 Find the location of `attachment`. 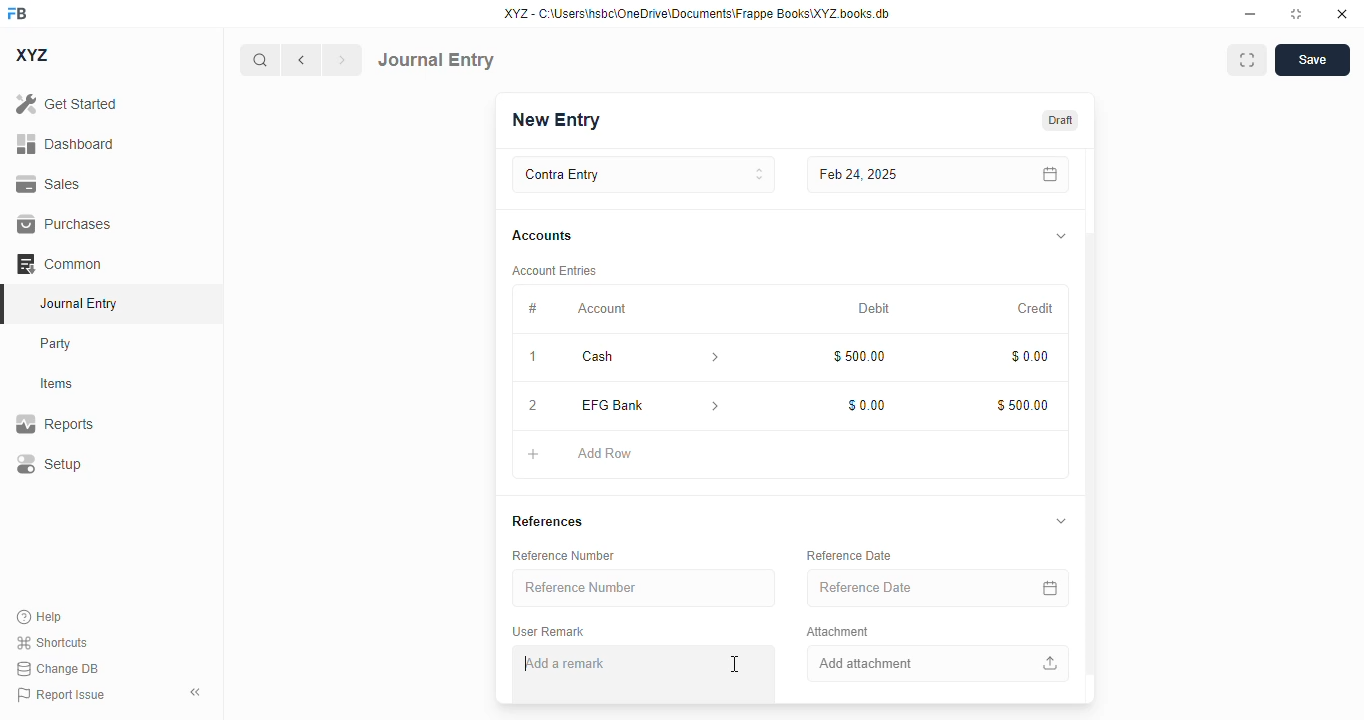

attachment is located at coordinates (838, 633).